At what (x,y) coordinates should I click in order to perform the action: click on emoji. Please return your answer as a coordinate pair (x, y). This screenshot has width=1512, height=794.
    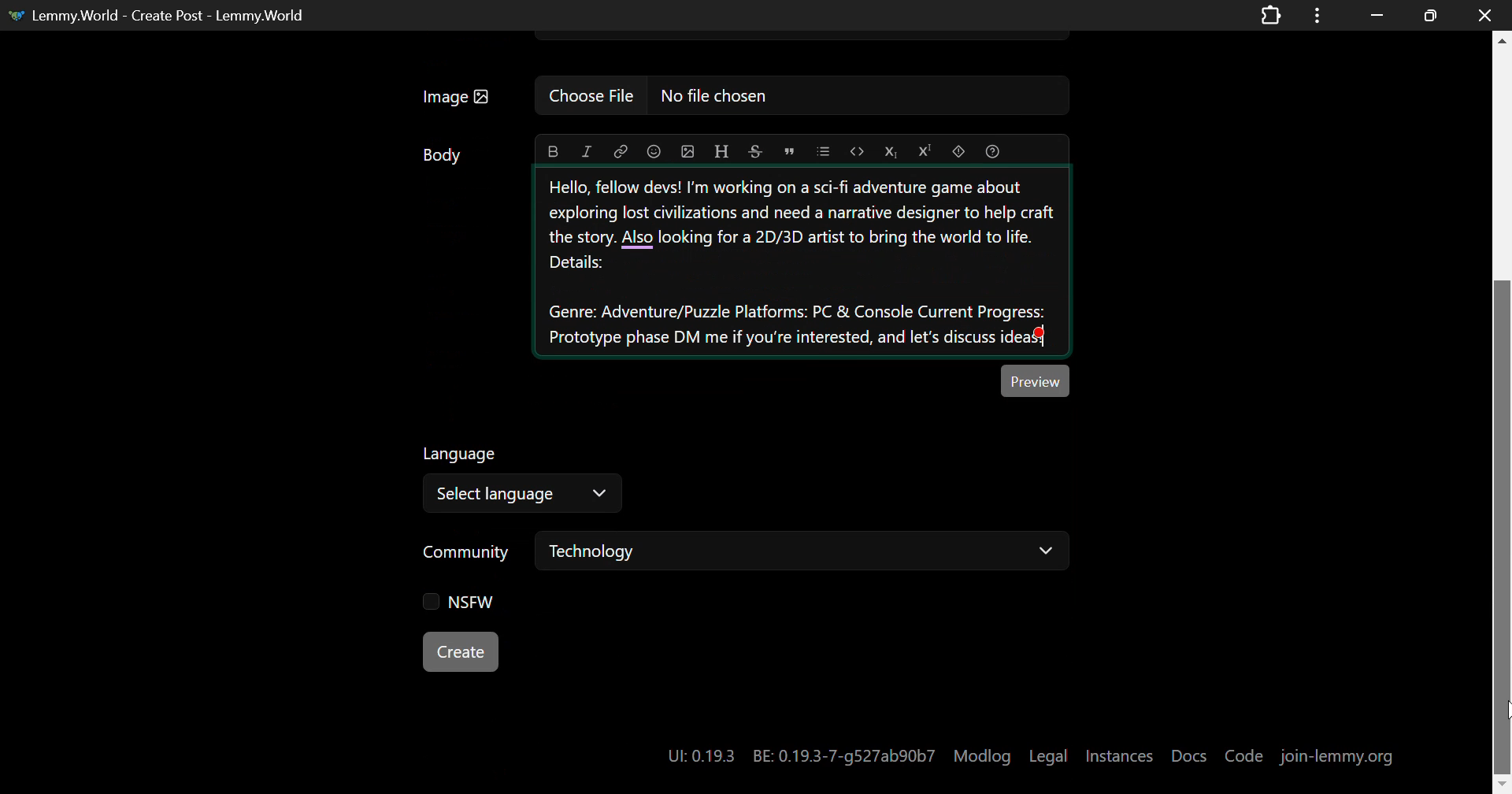
    Looking at the image, I should click on (654, 150).